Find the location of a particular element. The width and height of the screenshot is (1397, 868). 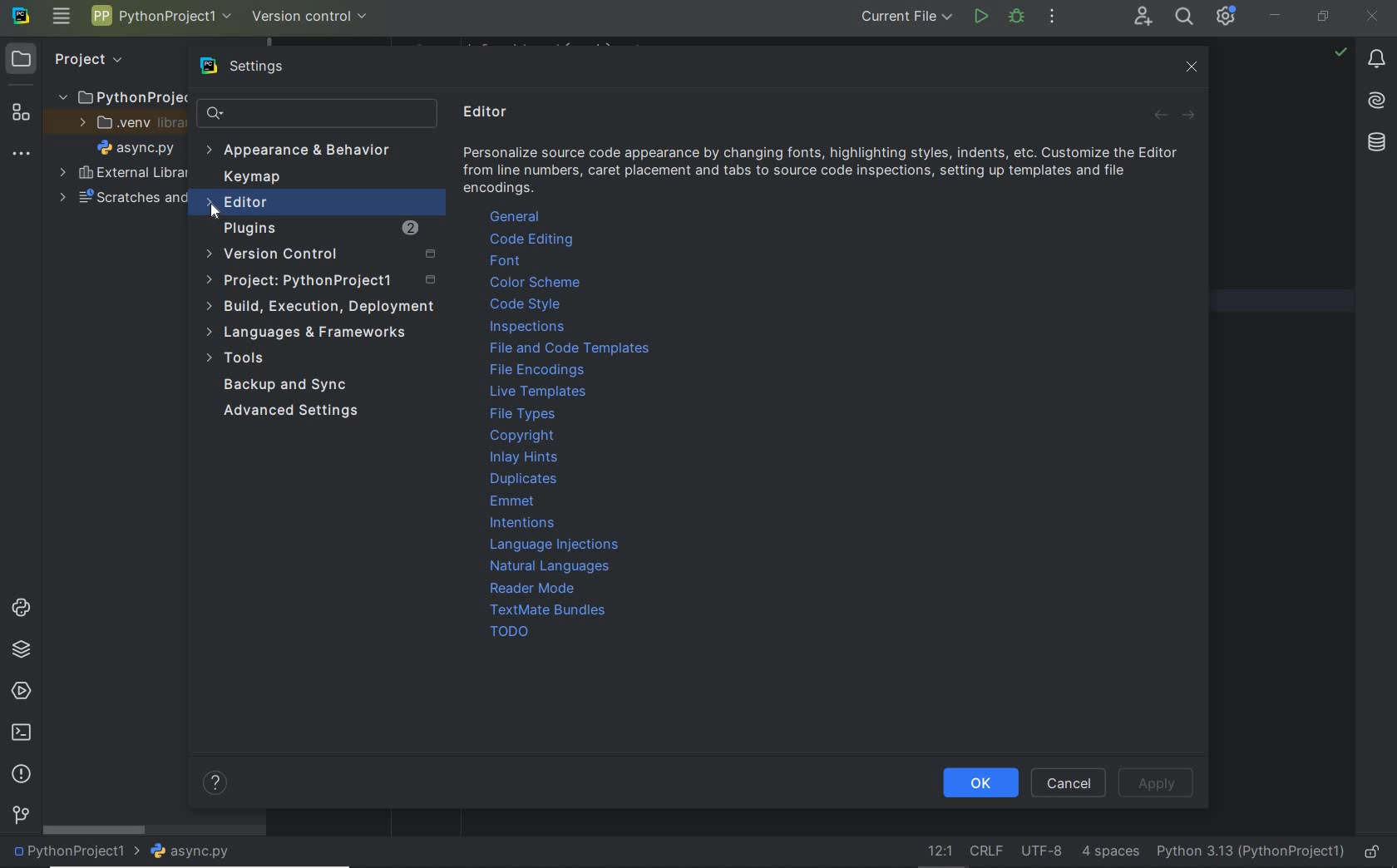

MINIMIZE is located at coordinates (1277, 14).